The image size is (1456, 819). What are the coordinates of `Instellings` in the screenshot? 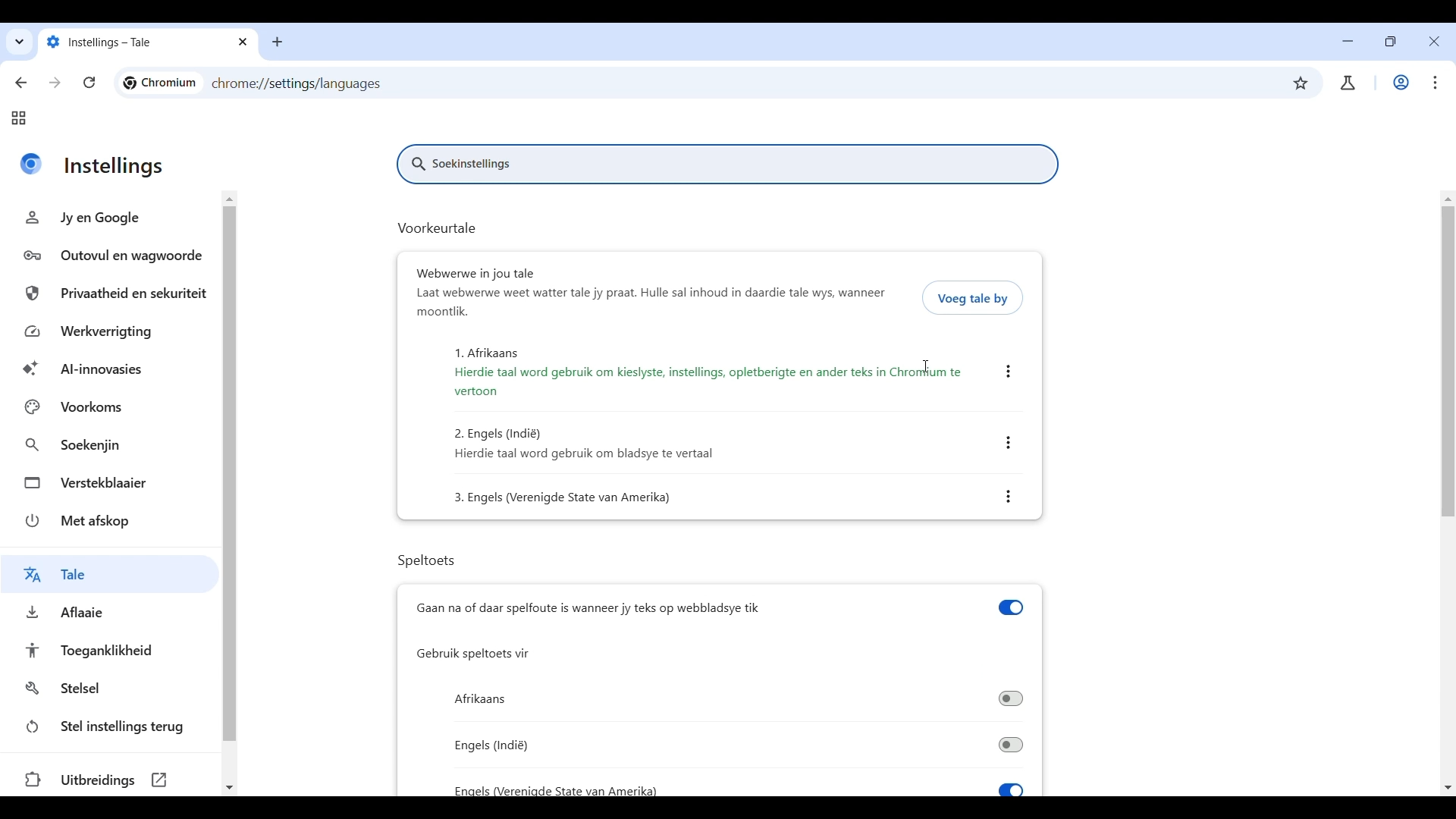 It's located at (94, 165).